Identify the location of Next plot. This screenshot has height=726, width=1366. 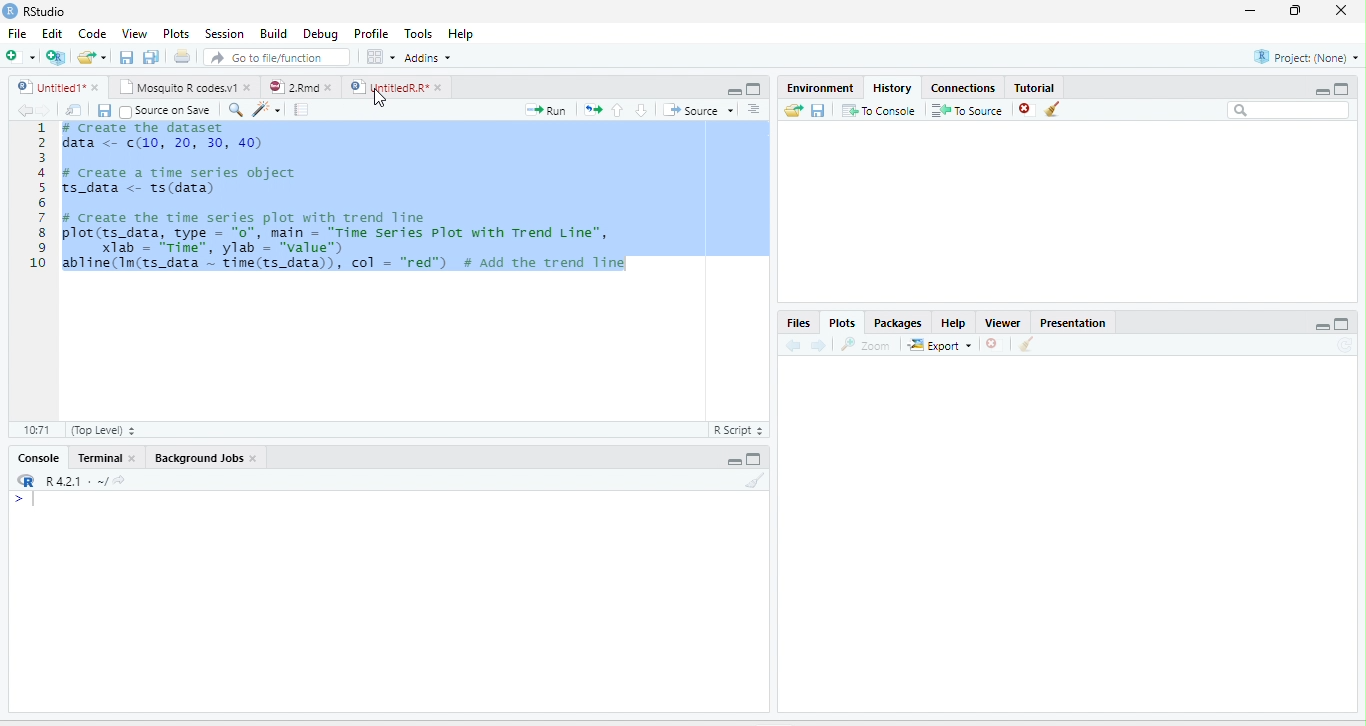
(818, 345).